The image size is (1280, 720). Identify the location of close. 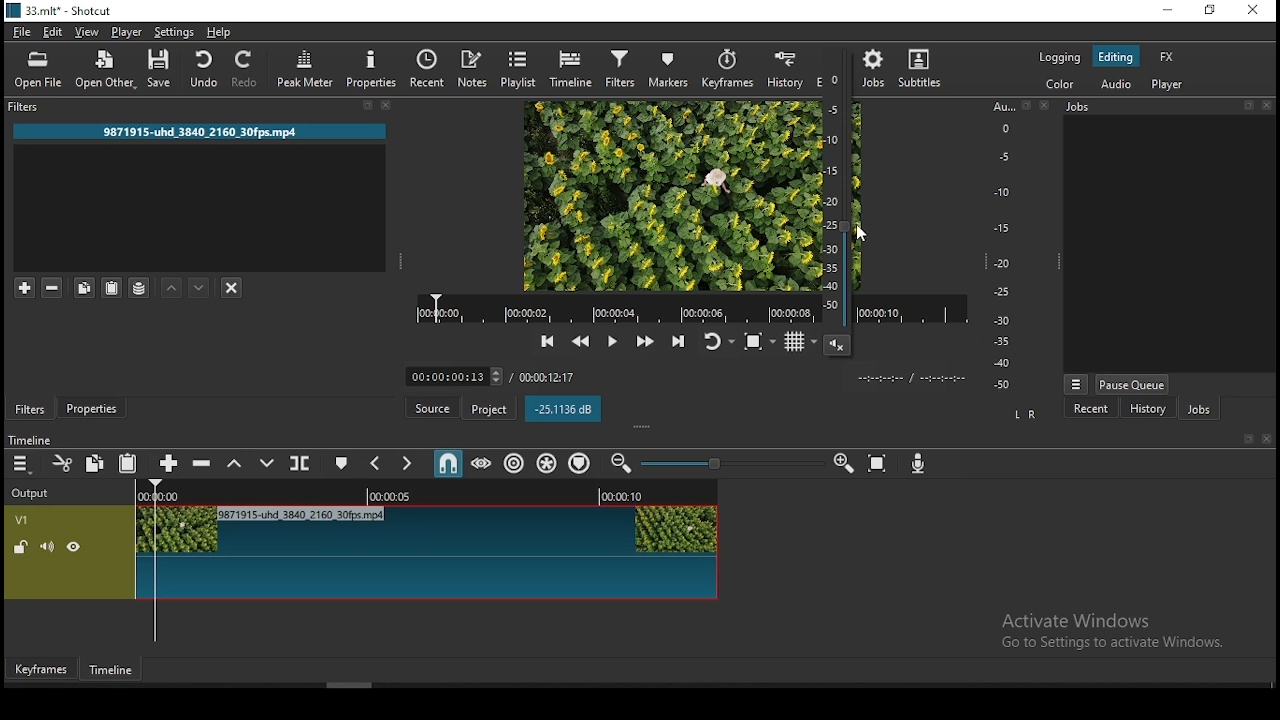
(1269, 109).